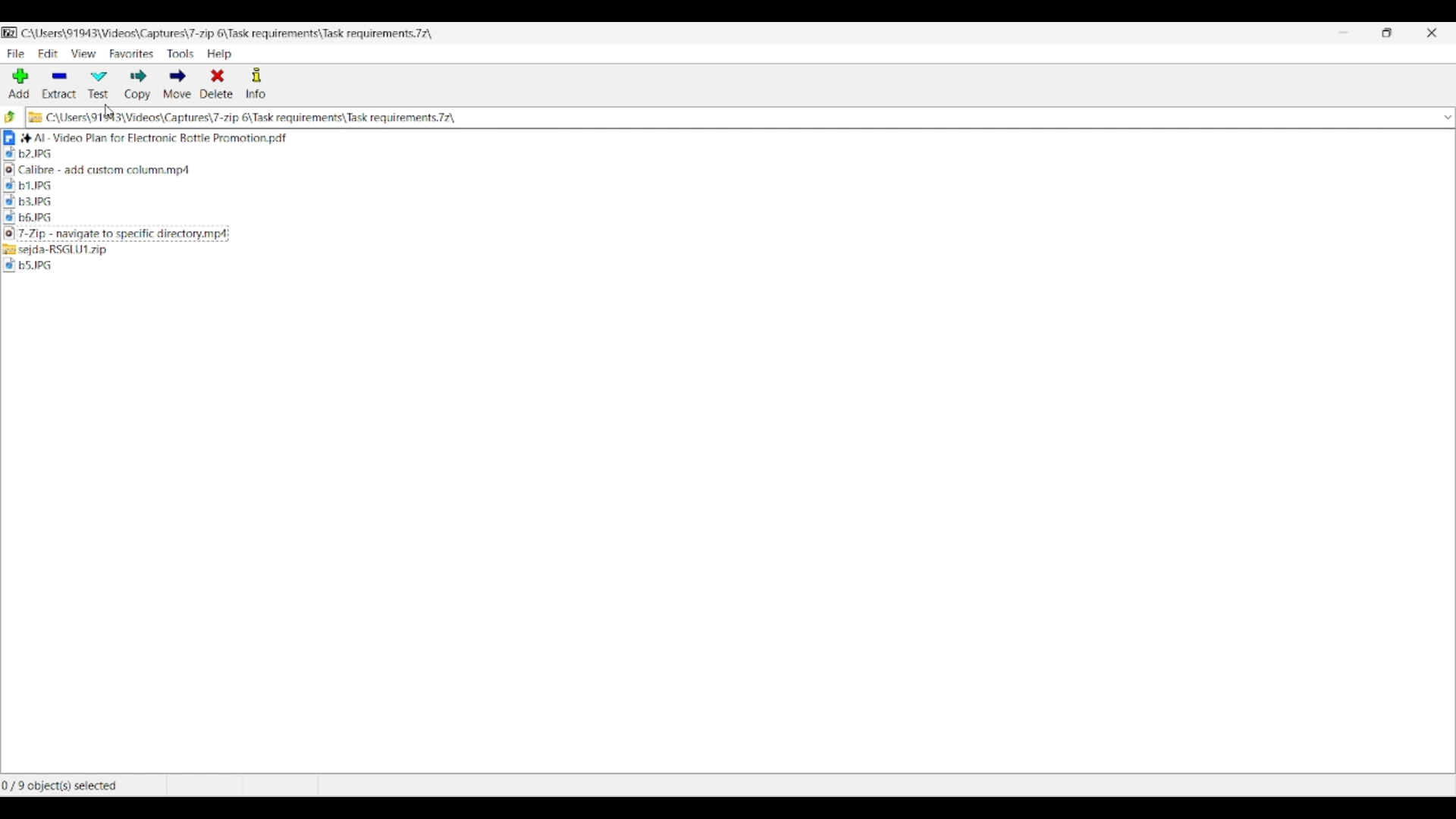 The height and width of the screenshot is (819, 1456). I want to click on View menu, so click(83, 53).